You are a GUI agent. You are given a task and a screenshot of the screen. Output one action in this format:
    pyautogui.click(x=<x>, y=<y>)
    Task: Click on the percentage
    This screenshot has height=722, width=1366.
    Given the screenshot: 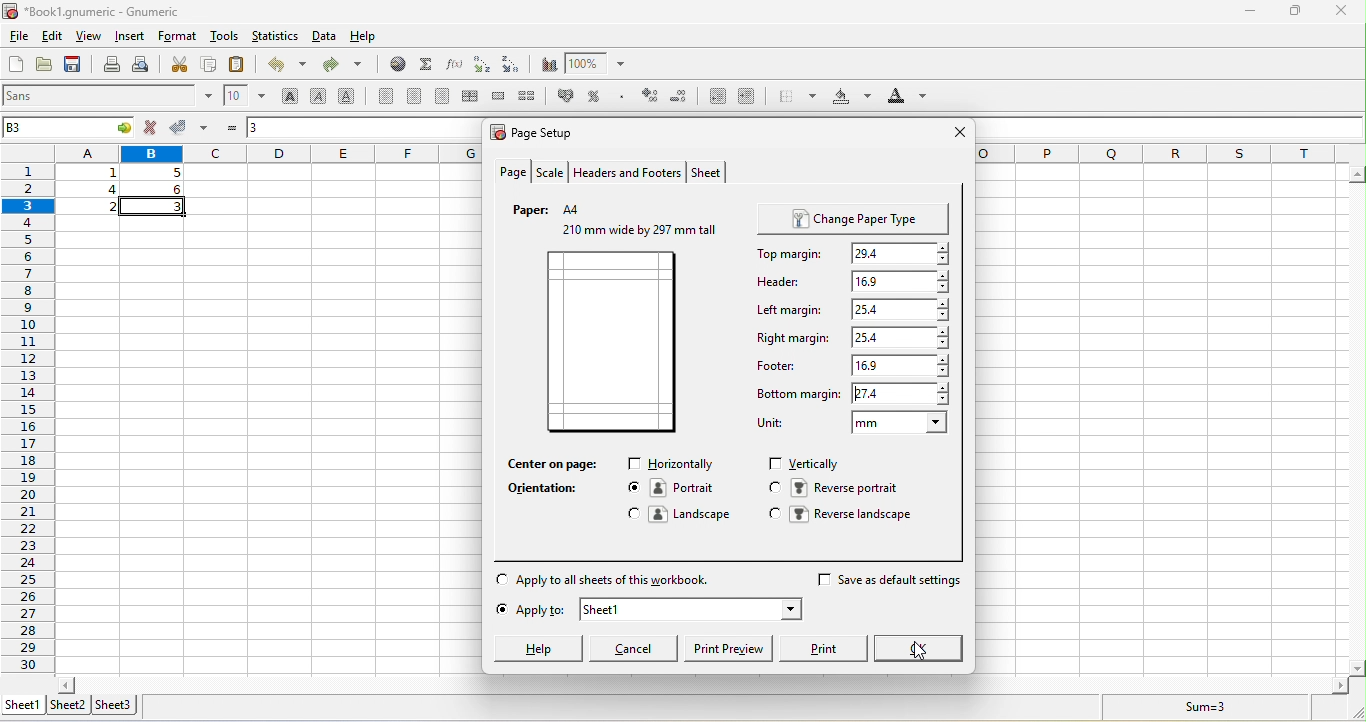 What is the action you would take?
    pyautogui.click(x=599, y=97)
    